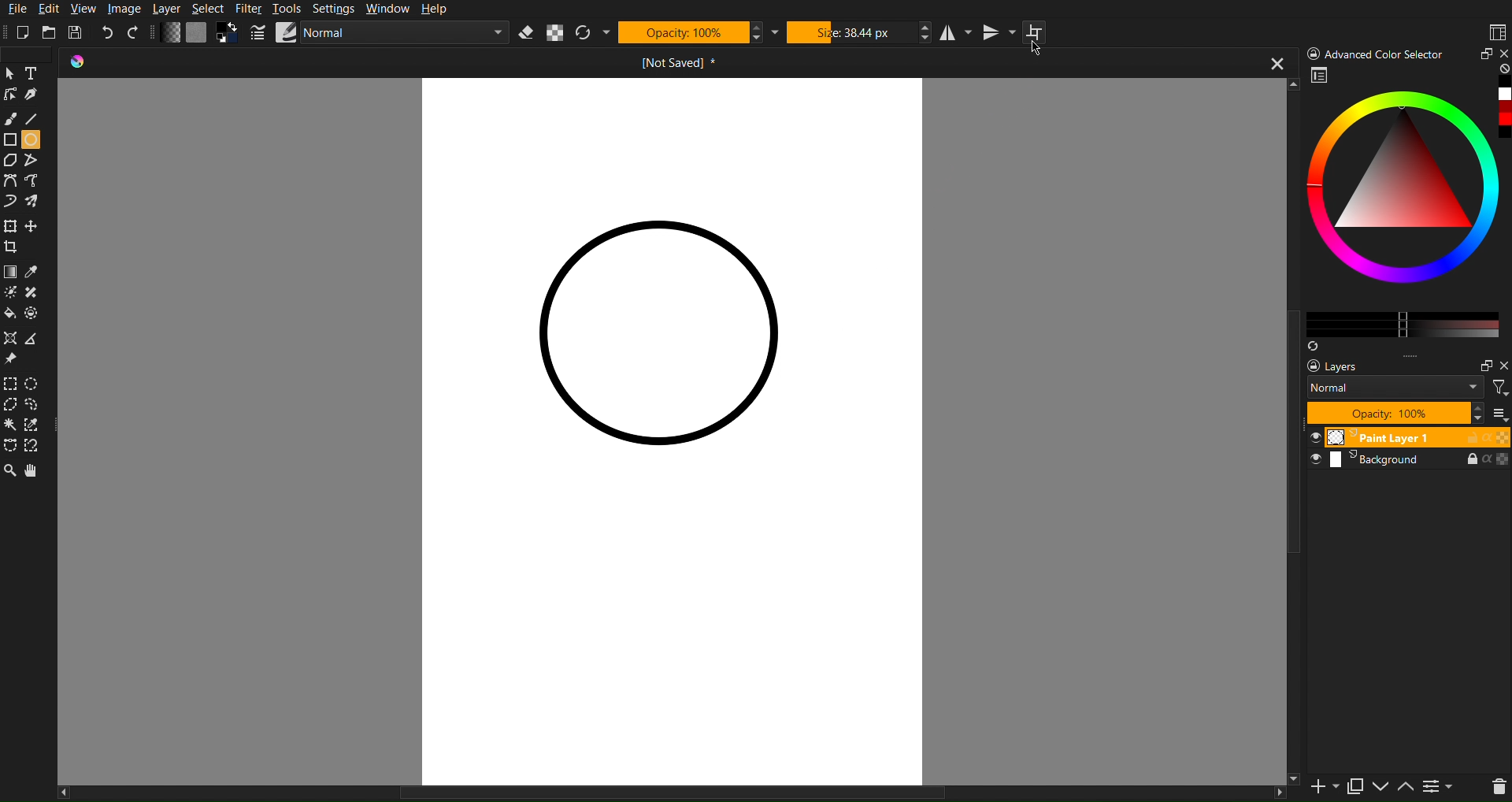  What do you see at coordinates (557, 34) in the screenshot?
I see `Alpha` at bounding box center [557, 34].